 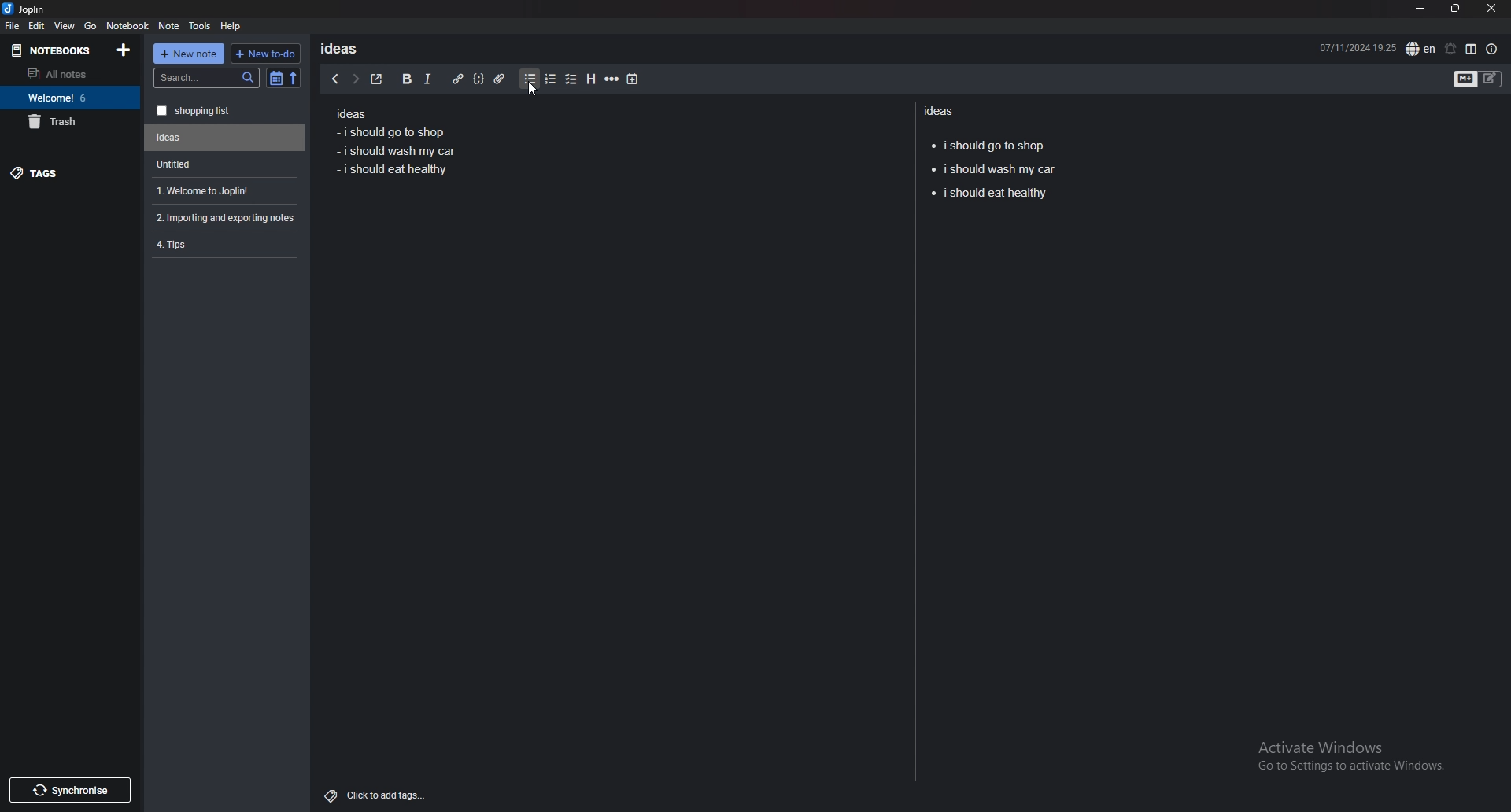 What do you see at coordinates (992, 171) in the screenshot?
I see `i should wash my car` at bounding box center [992, 171].